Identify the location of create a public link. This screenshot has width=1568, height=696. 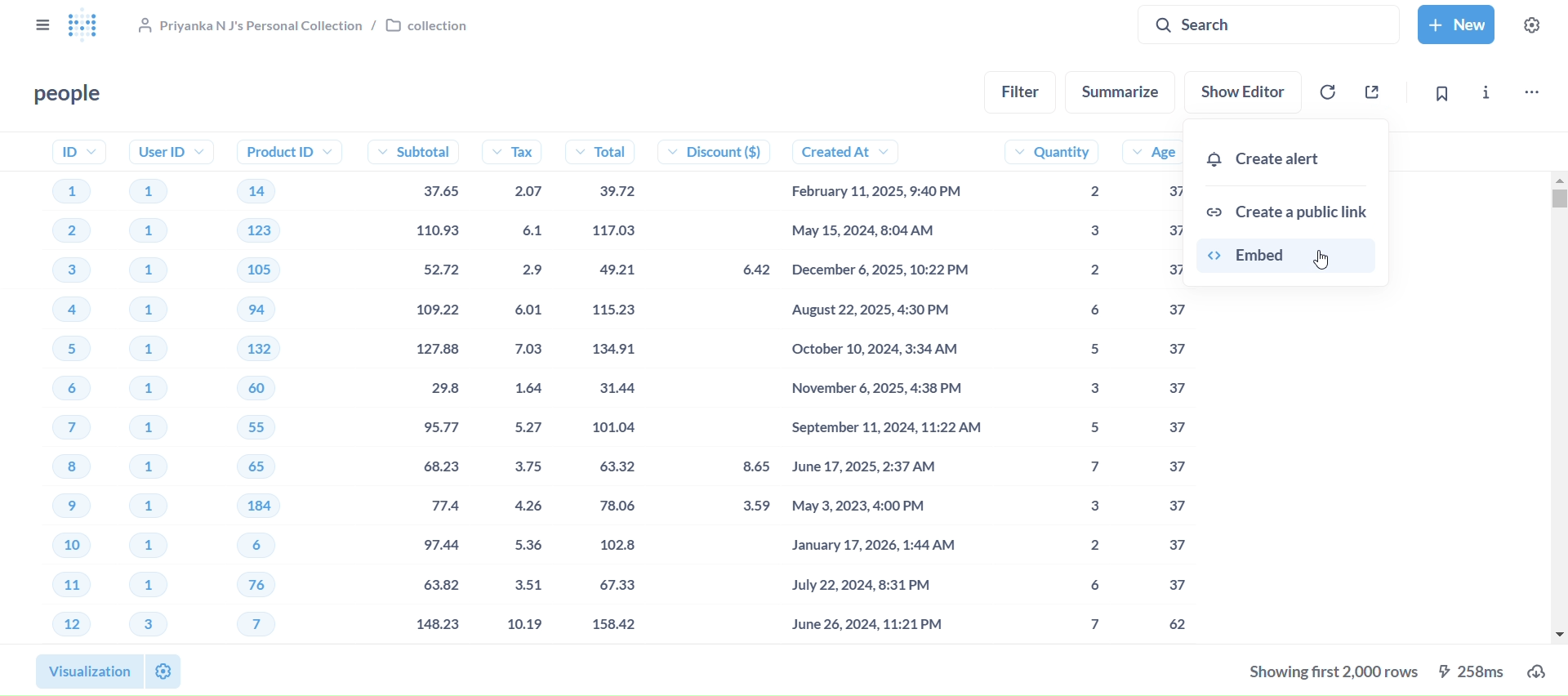
(1295, 207).